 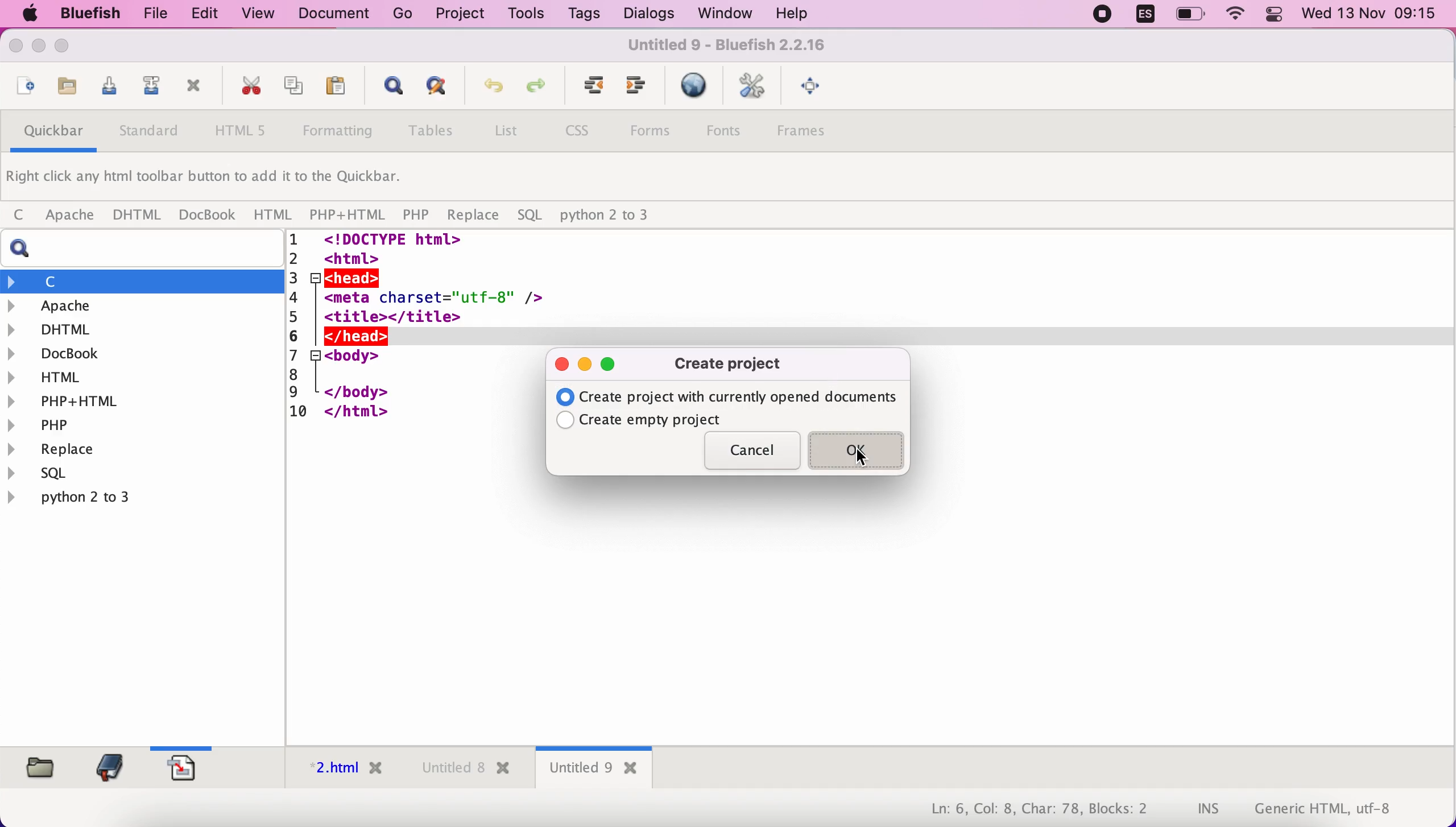 I want to click on dialogs, so click(x=645, y=14).